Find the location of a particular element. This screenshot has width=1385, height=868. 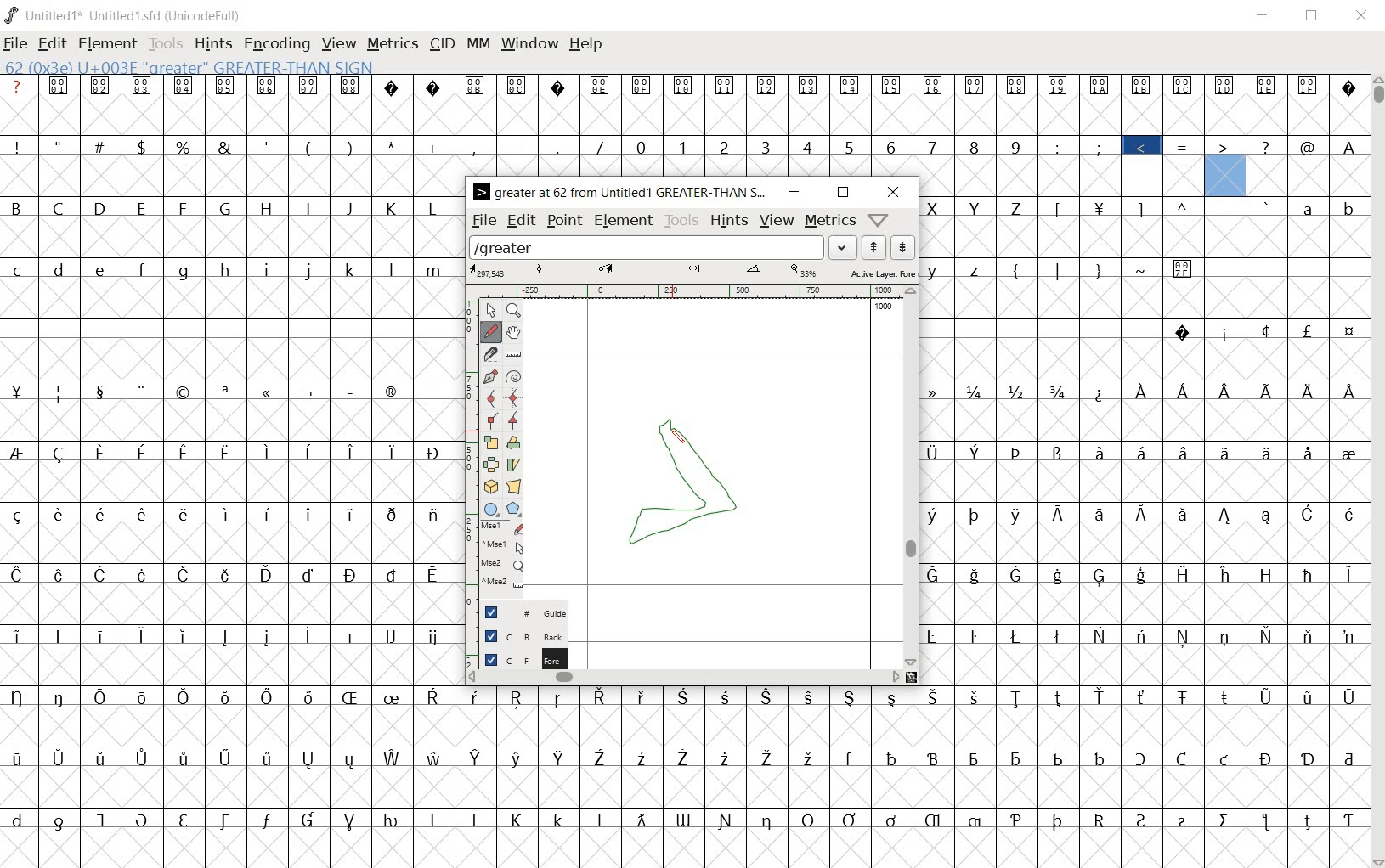

skew the selection is located at coordinates (513, 465).